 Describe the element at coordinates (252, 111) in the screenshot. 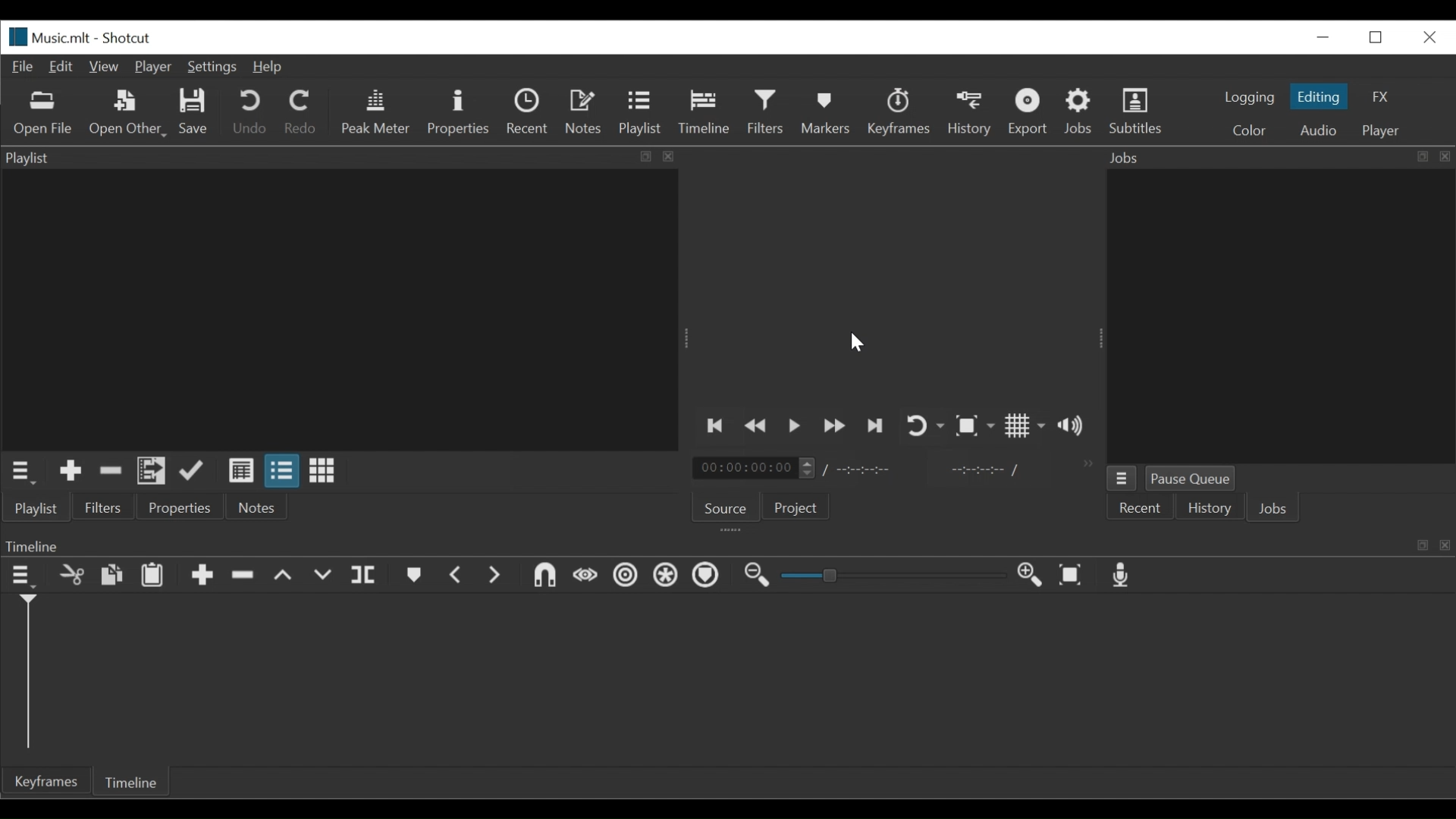

I see `Undo` at that location.